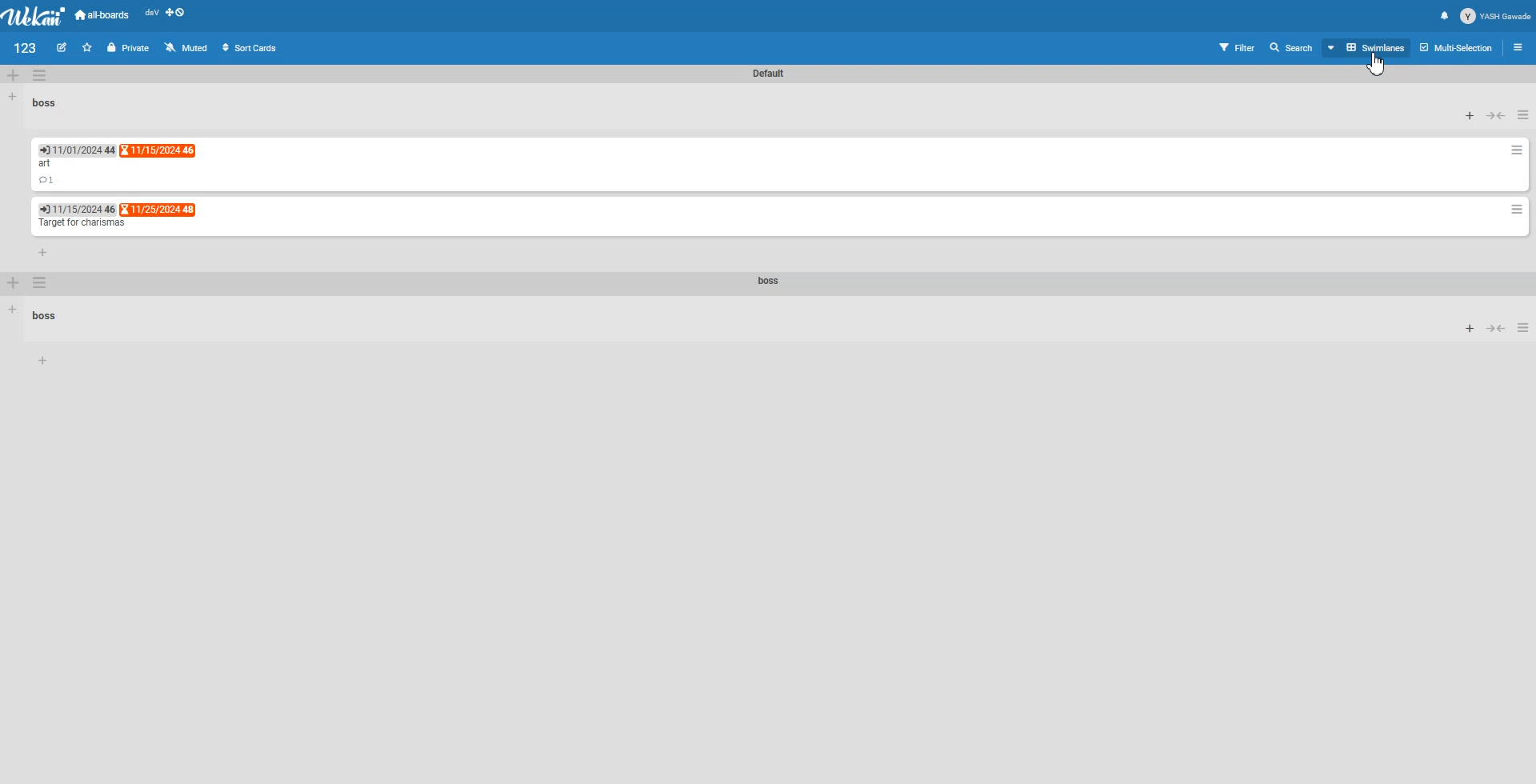  I want to click on Text, so click(770, 282).